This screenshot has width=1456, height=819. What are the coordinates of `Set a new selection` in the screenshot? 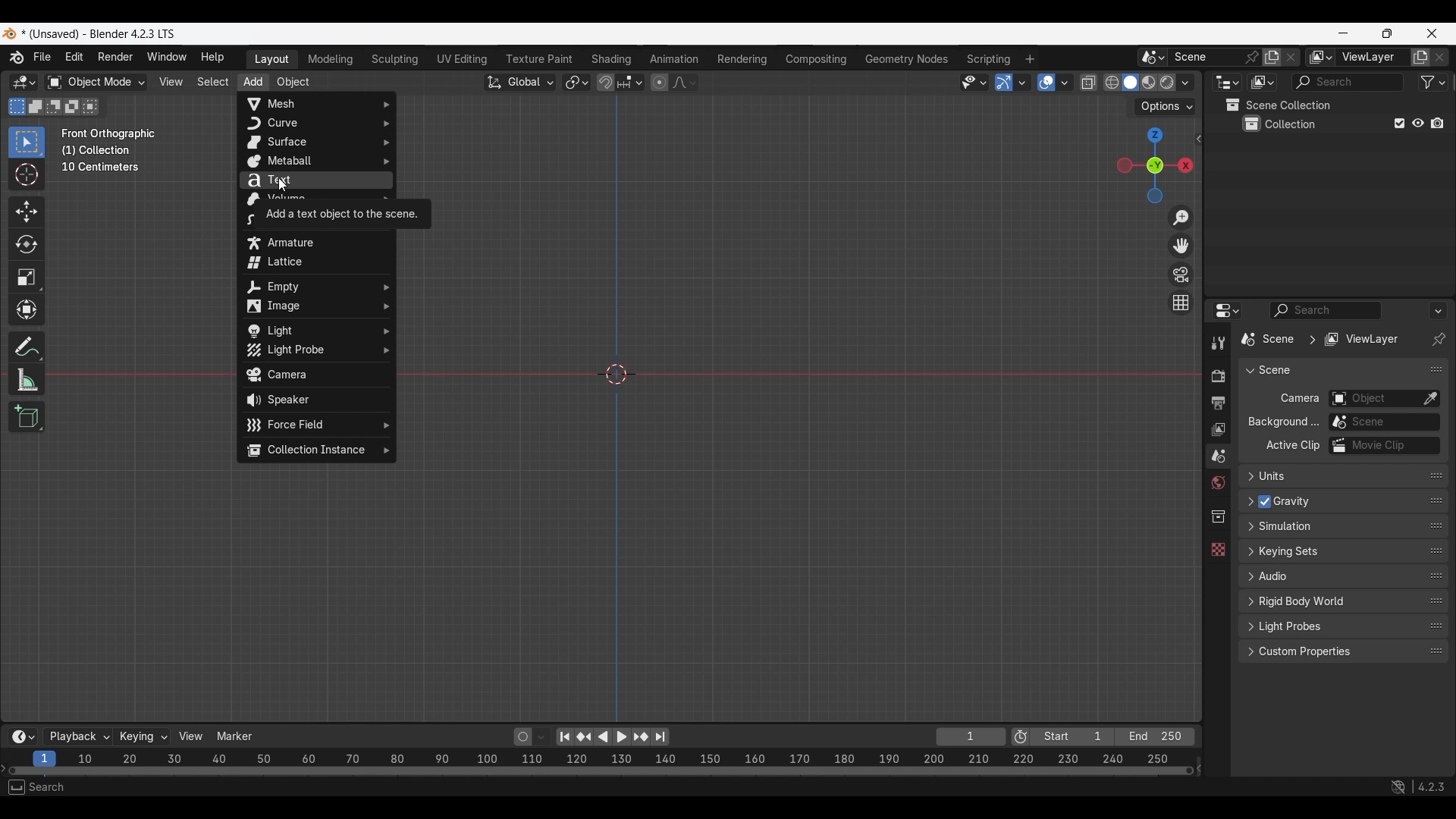 It's located at (17, 106).